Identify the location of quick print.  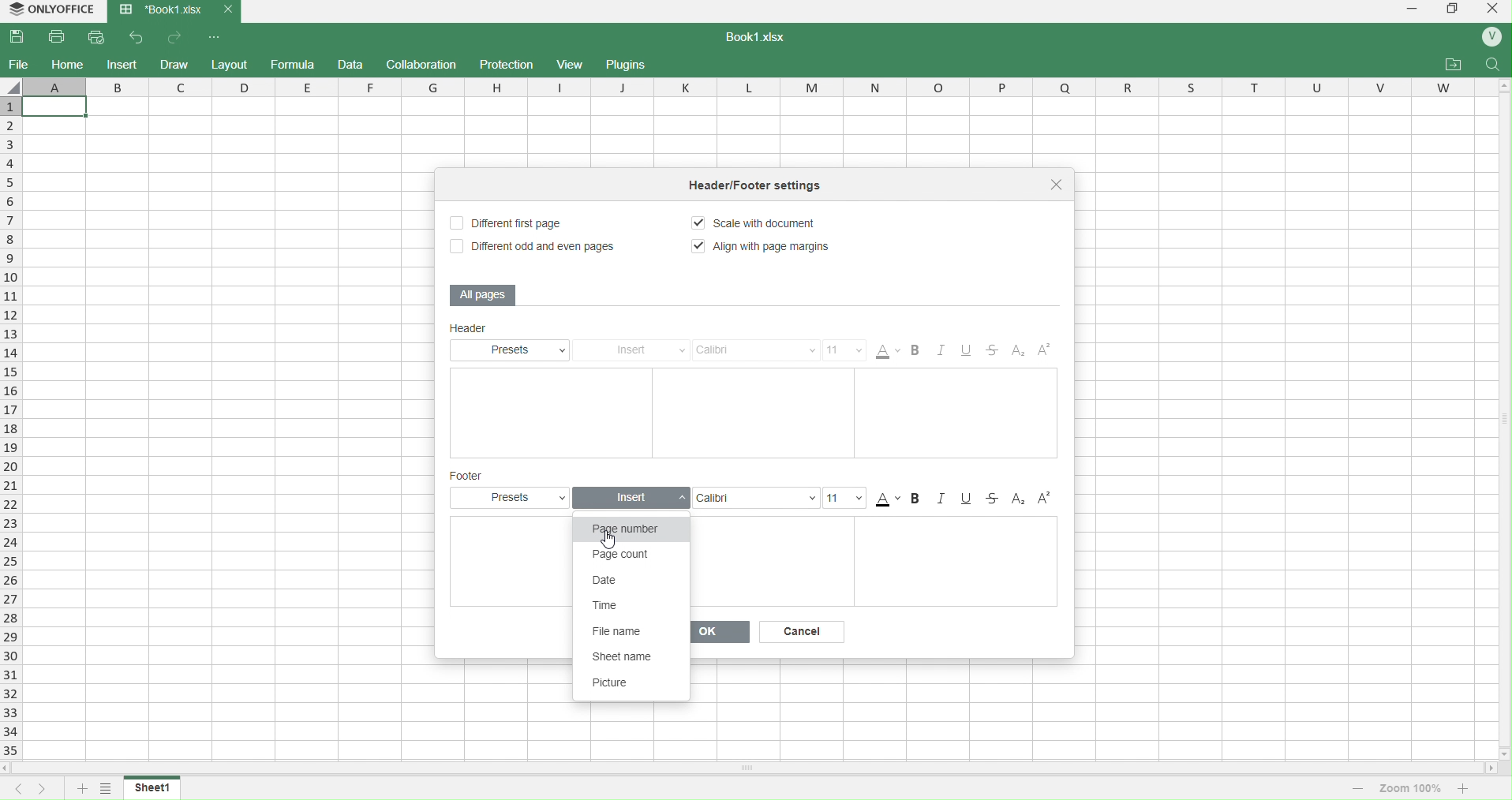
(99, 36).